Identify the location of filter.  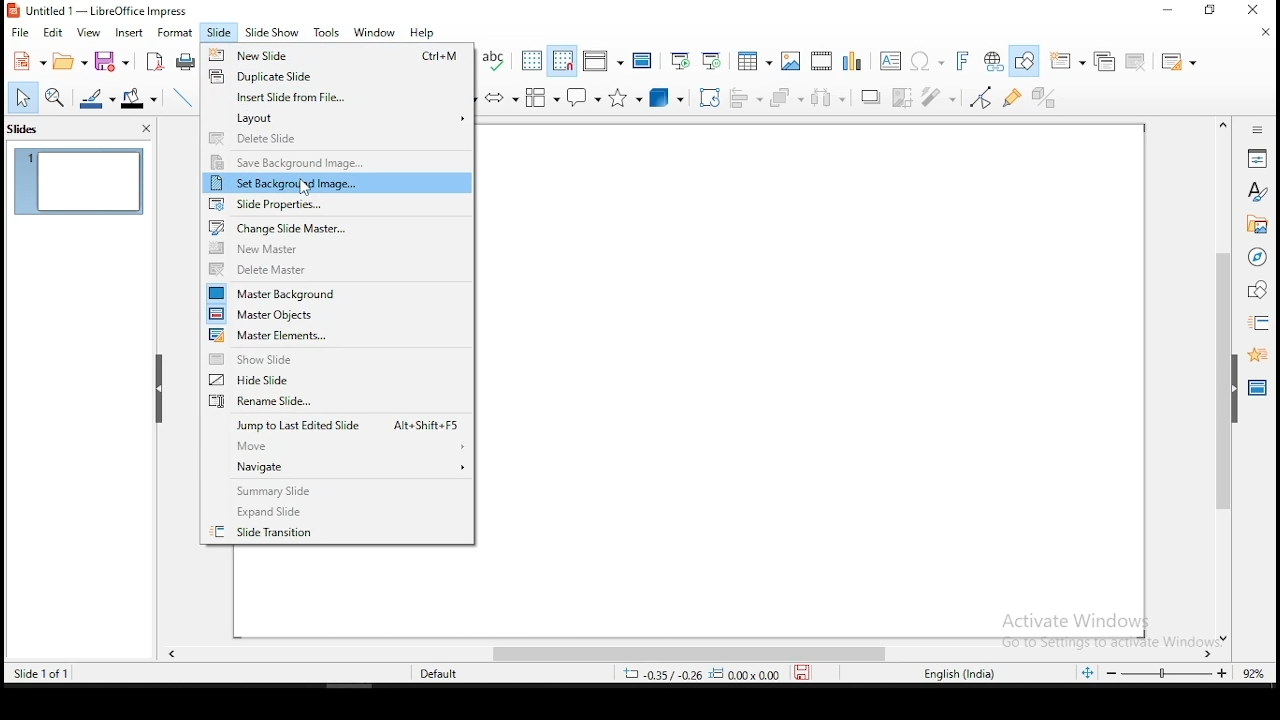
(939, 97).